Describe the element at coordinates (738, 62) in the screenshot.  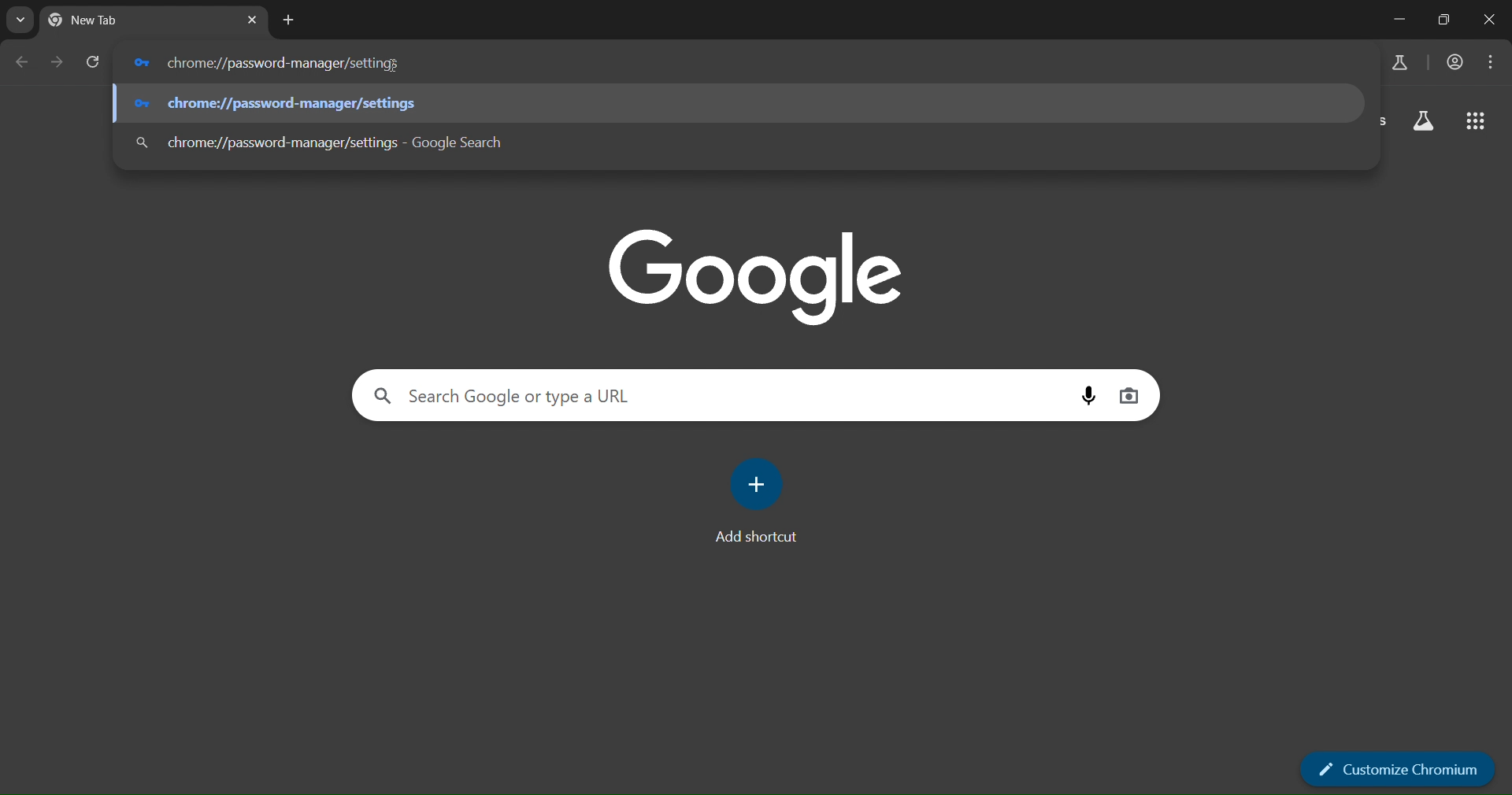
I see `chrome://password-manager/settings` at that location.